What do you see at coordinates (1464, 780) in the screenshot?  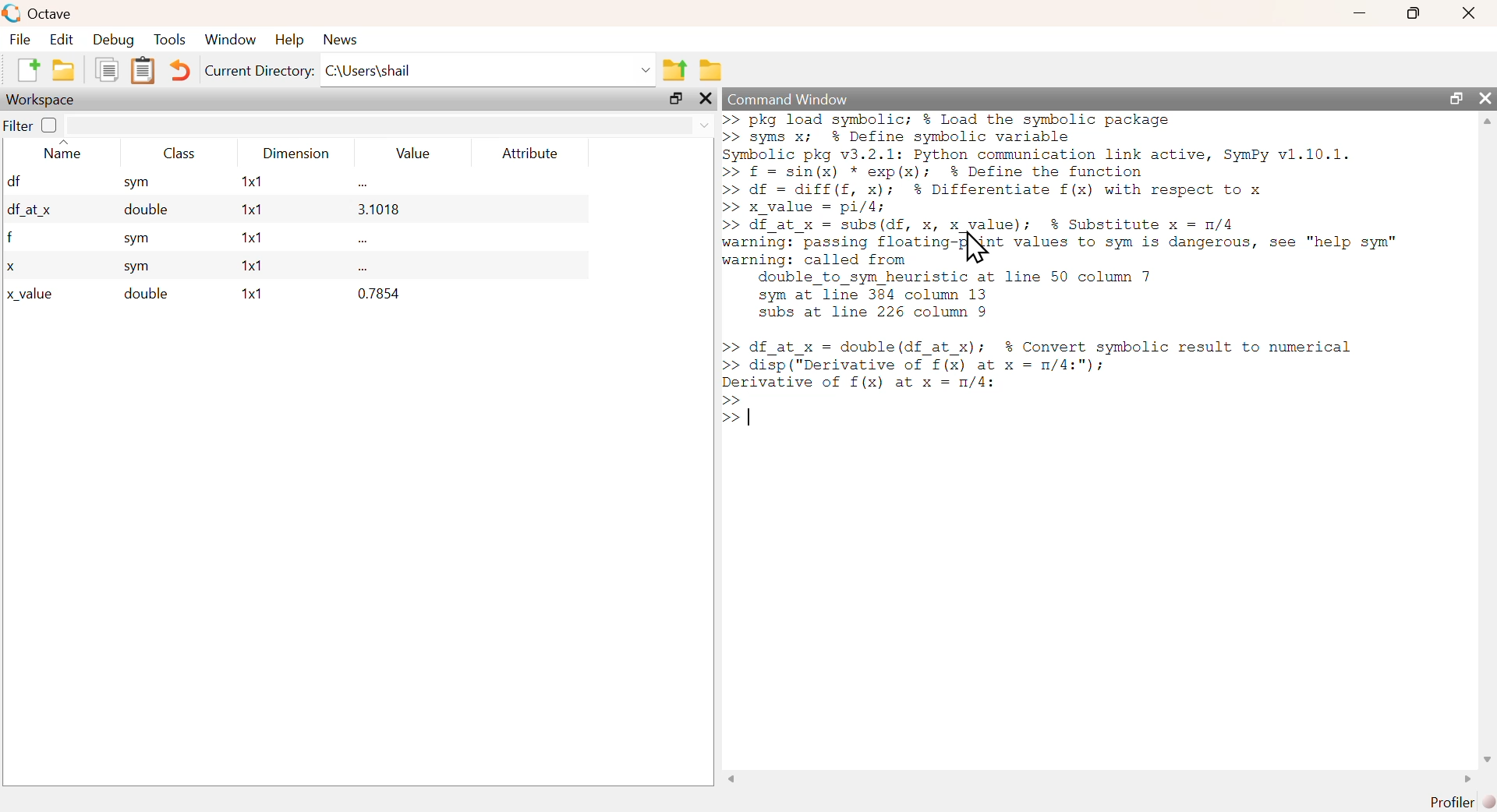 I see `scroll right` at bounding box center [1464, 780].